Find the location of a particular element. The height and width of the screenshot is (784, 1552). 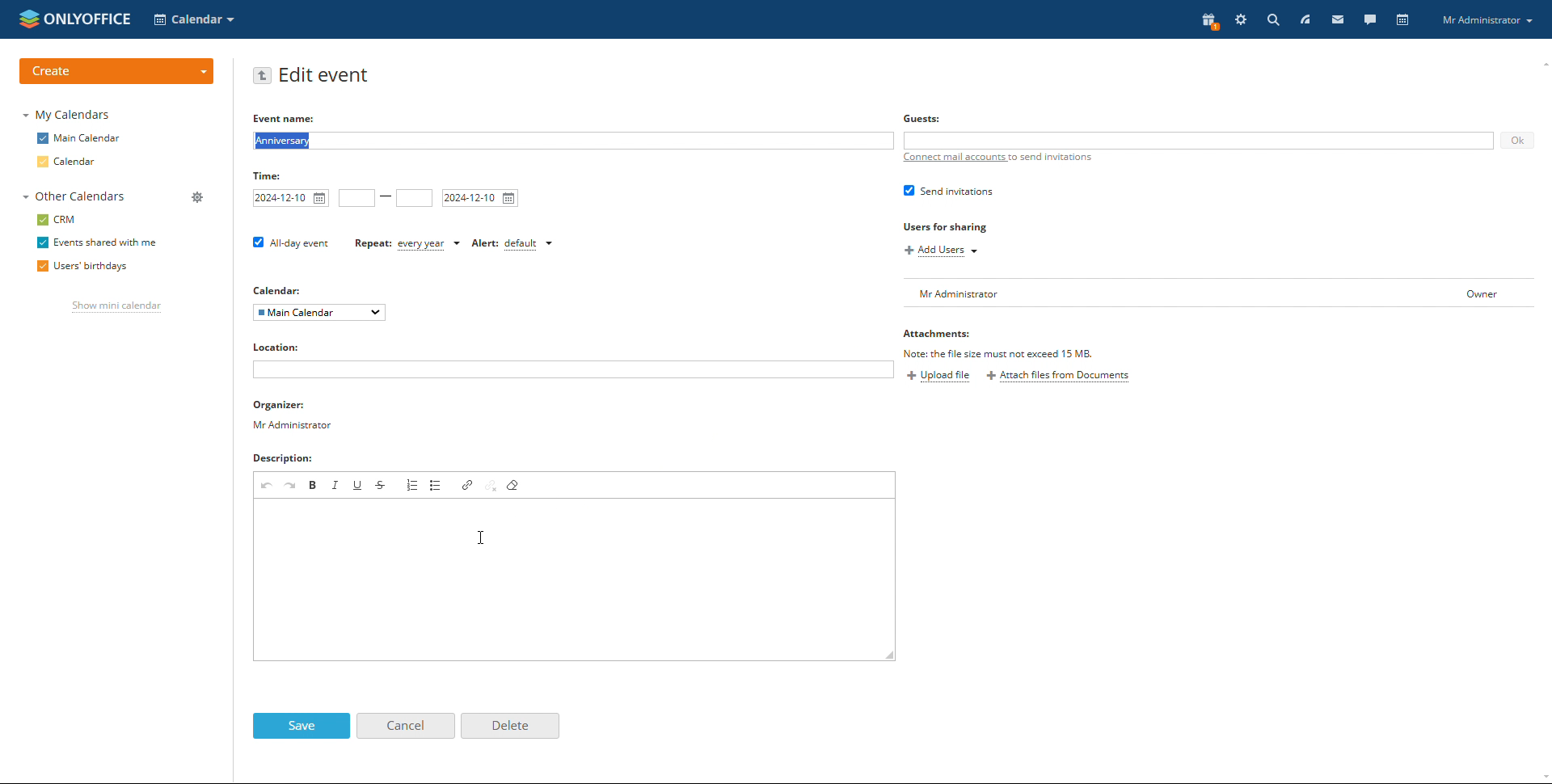

unpin is located at coordinates (491, 484).